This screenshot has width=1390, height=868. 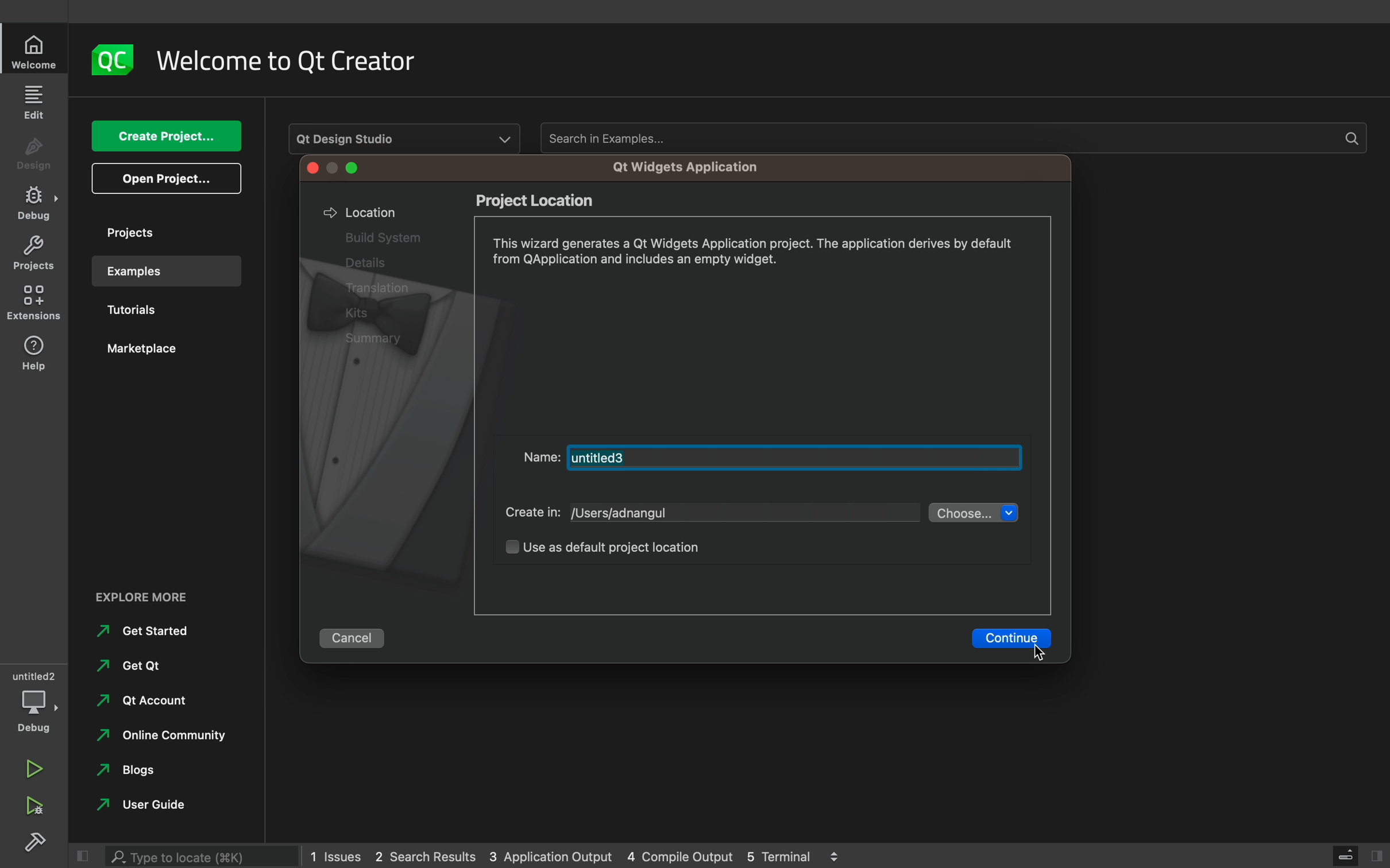 What do you see at coordinates (296, 61) in the screenshot?
I see `welcome to qt creator` at bounding box center [296, 61].